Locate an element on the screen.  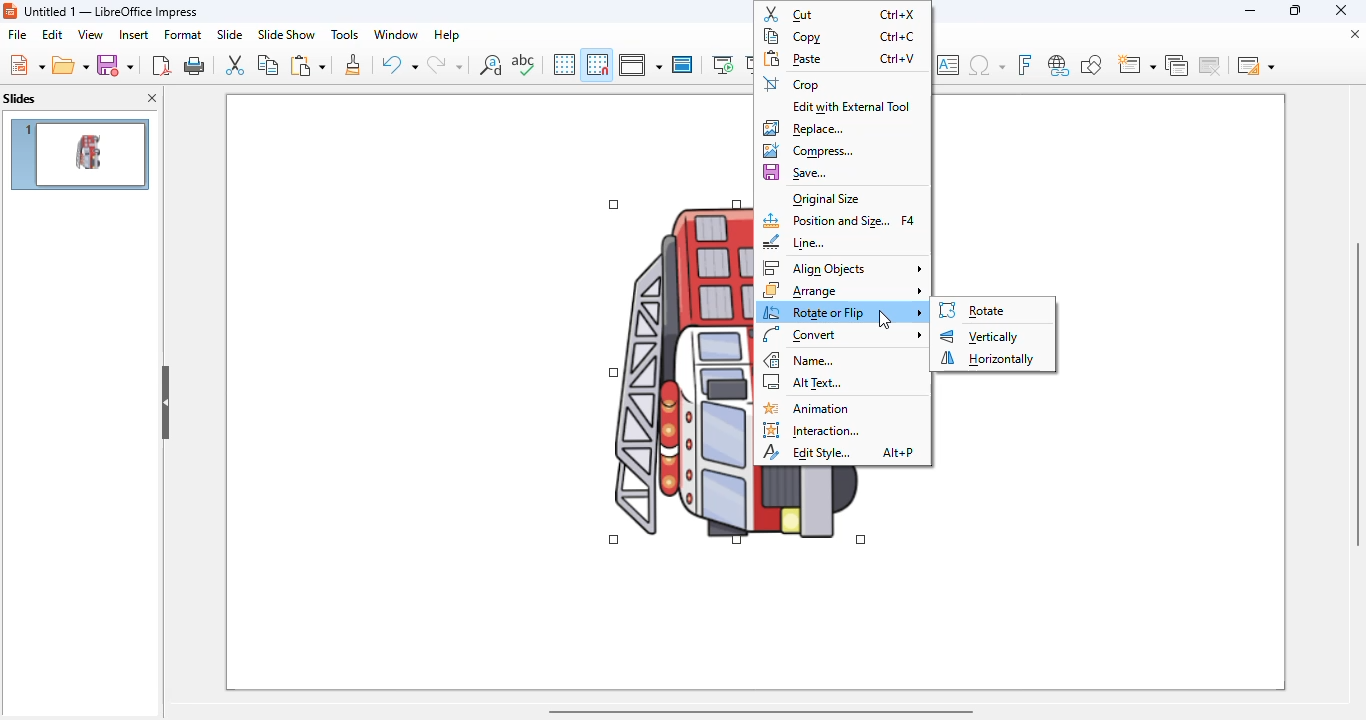
arrange is located at coordinates (844, 291).